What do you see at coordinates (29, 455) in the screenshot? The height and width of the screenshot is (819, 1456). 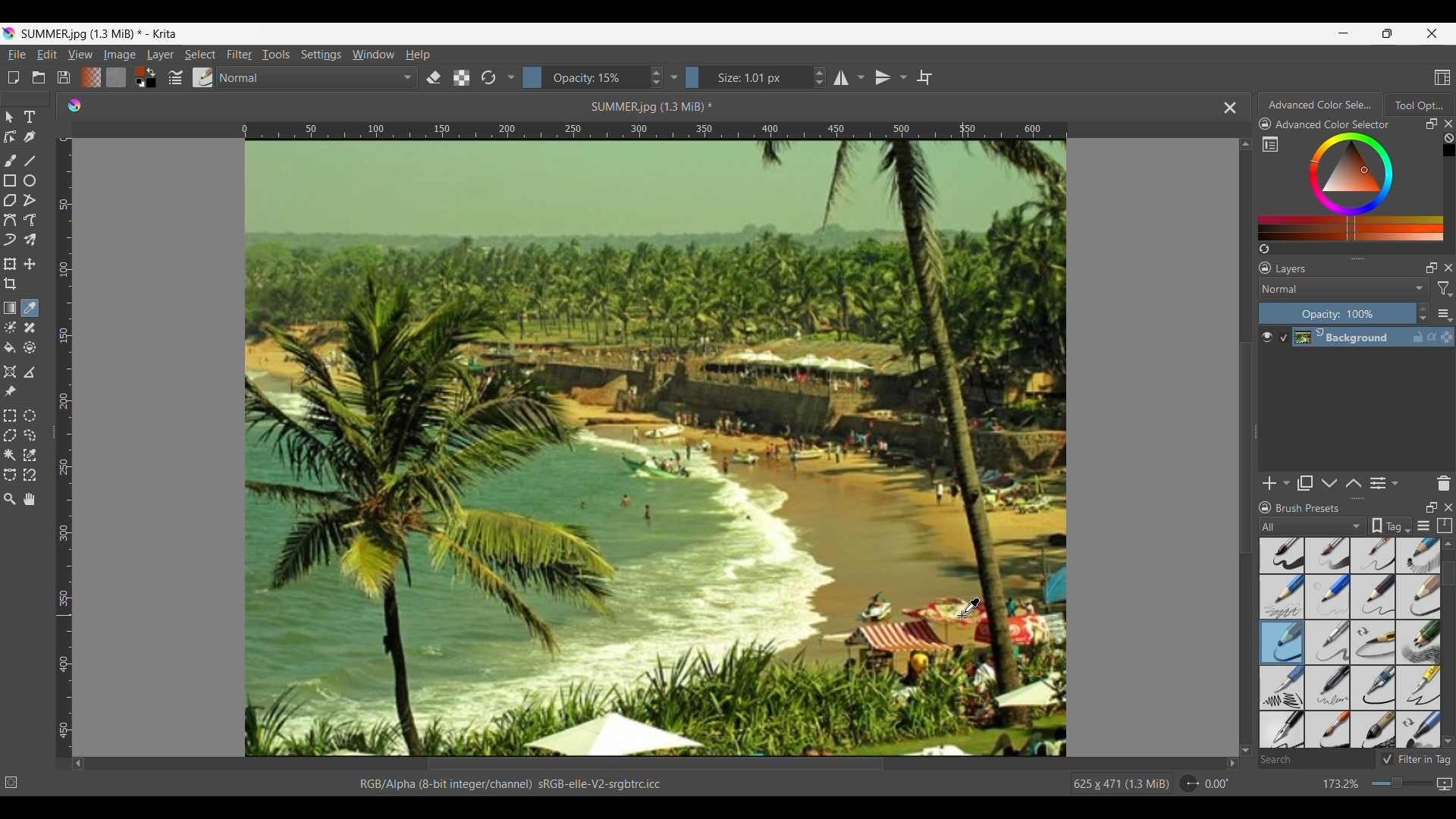 I see `Similar color selection tool` at bounding box center [29, 455].